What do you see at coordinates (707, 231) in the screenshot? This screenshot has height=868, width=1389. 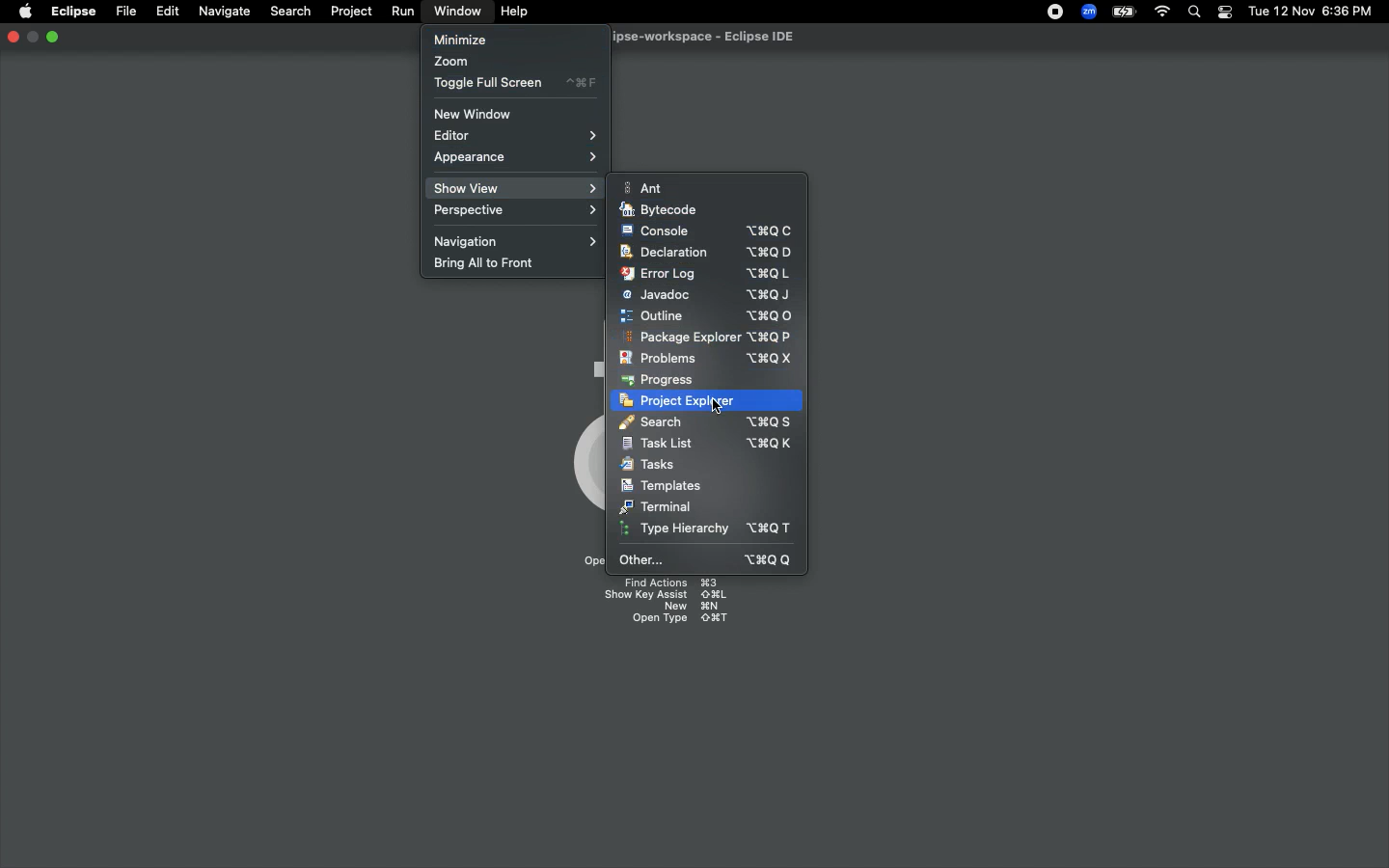 I see `Console` at bounding box center [707, 231].